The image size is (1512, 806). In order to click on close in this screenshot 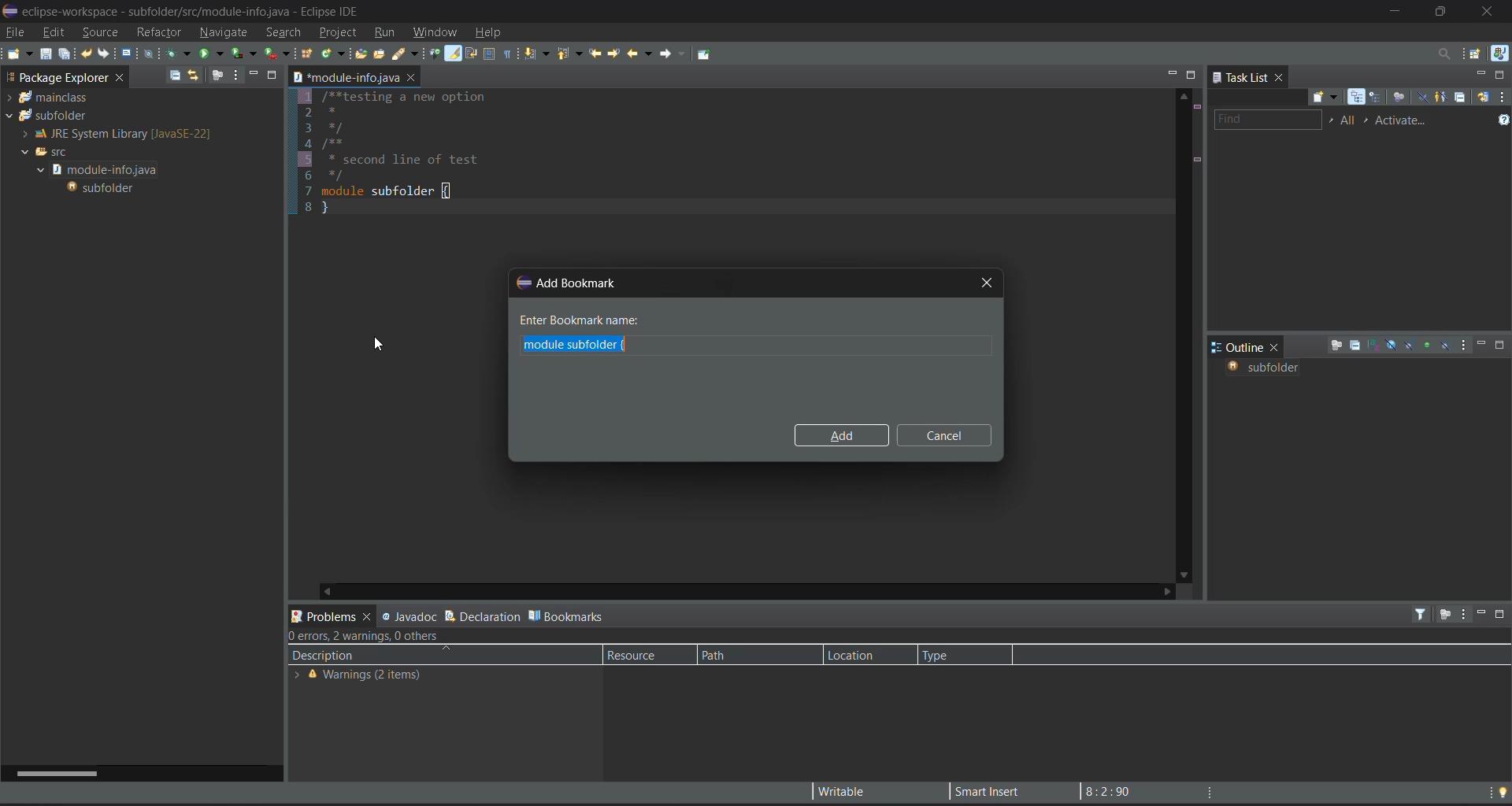, I will do `click(1493, 12)`.